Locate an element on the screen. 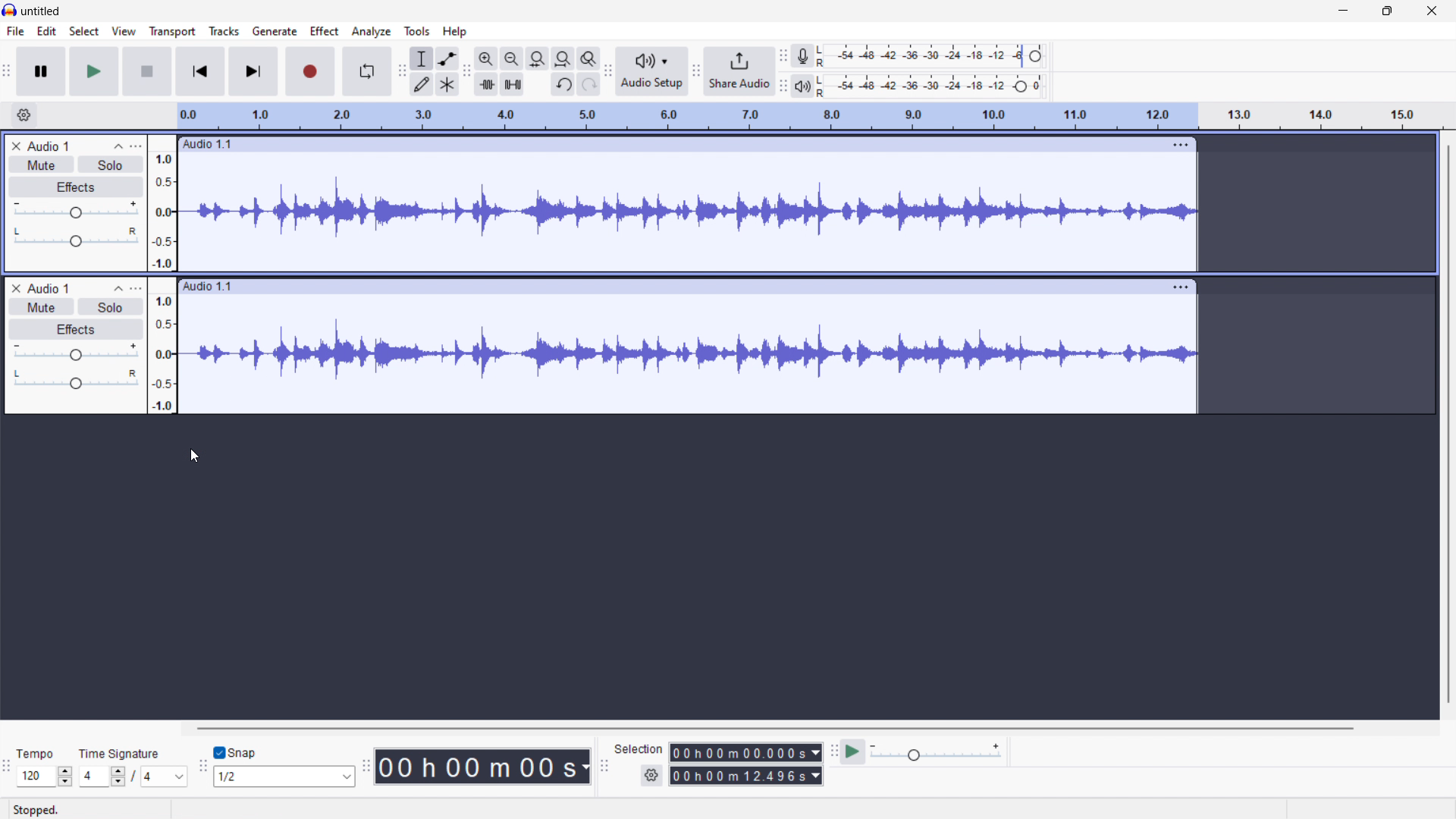 The image size is (1456, 819). Cursor is located at coordinates (195, 457).